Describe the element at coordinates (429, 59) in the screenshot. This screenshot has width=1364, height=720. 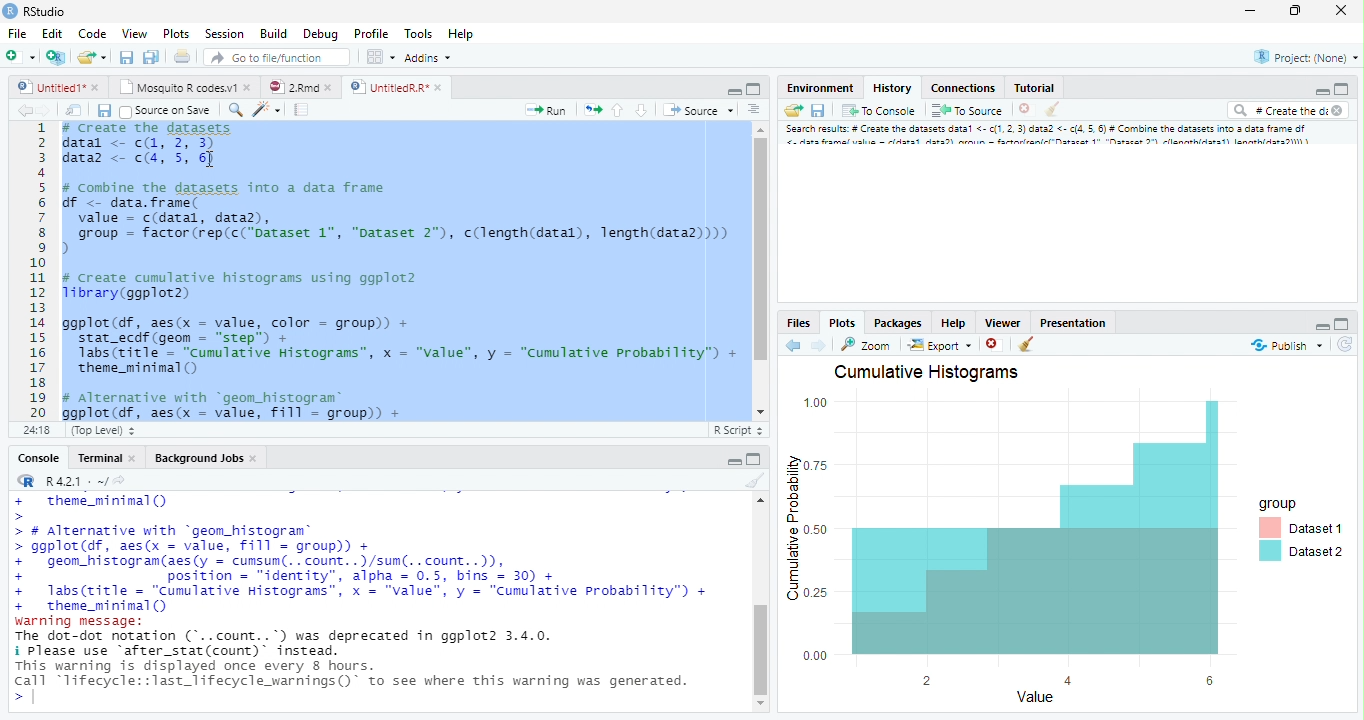
I see `Addins` at that location.